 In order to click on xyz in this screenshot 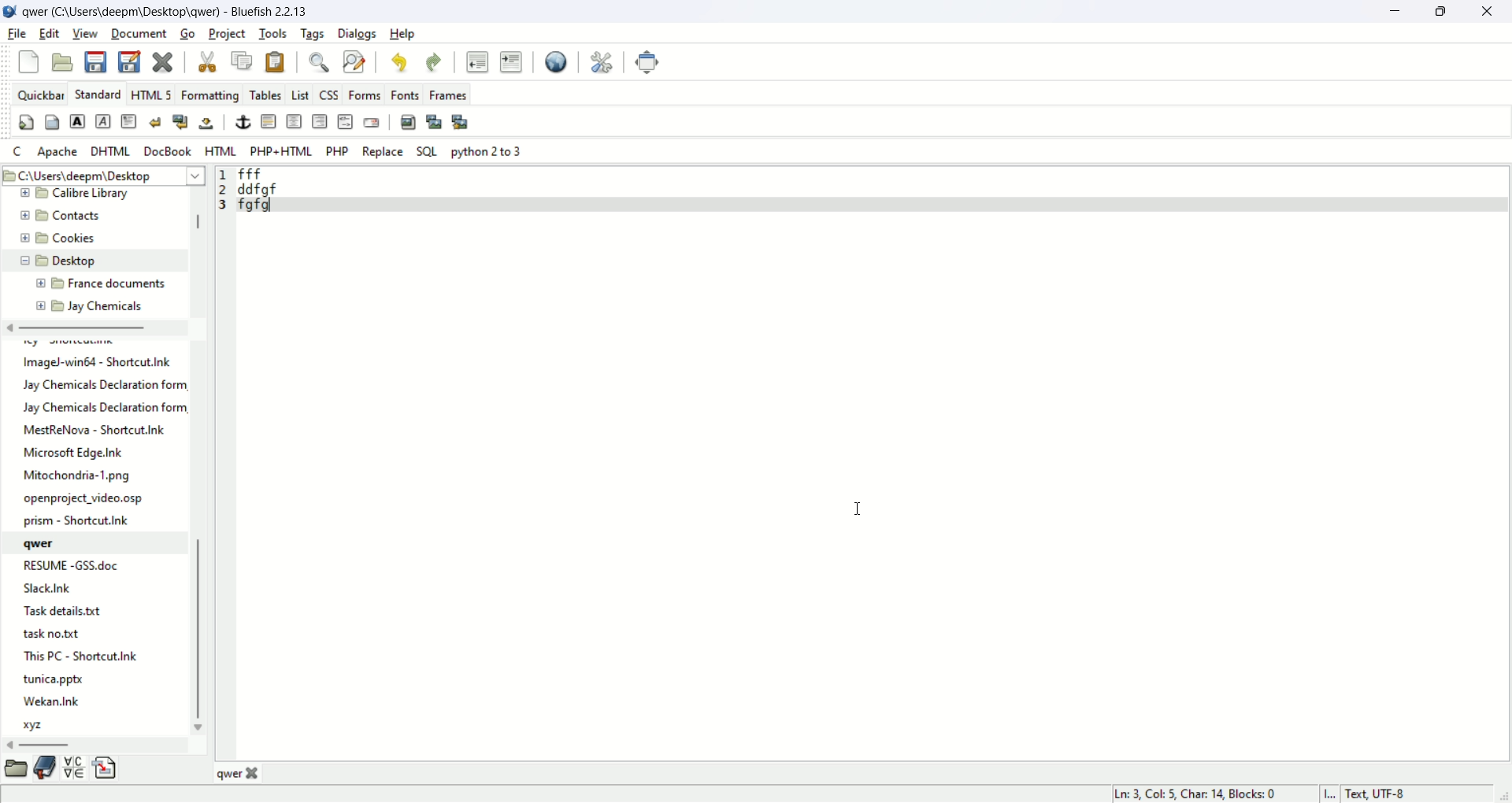, I will do `click(36, 724)`.